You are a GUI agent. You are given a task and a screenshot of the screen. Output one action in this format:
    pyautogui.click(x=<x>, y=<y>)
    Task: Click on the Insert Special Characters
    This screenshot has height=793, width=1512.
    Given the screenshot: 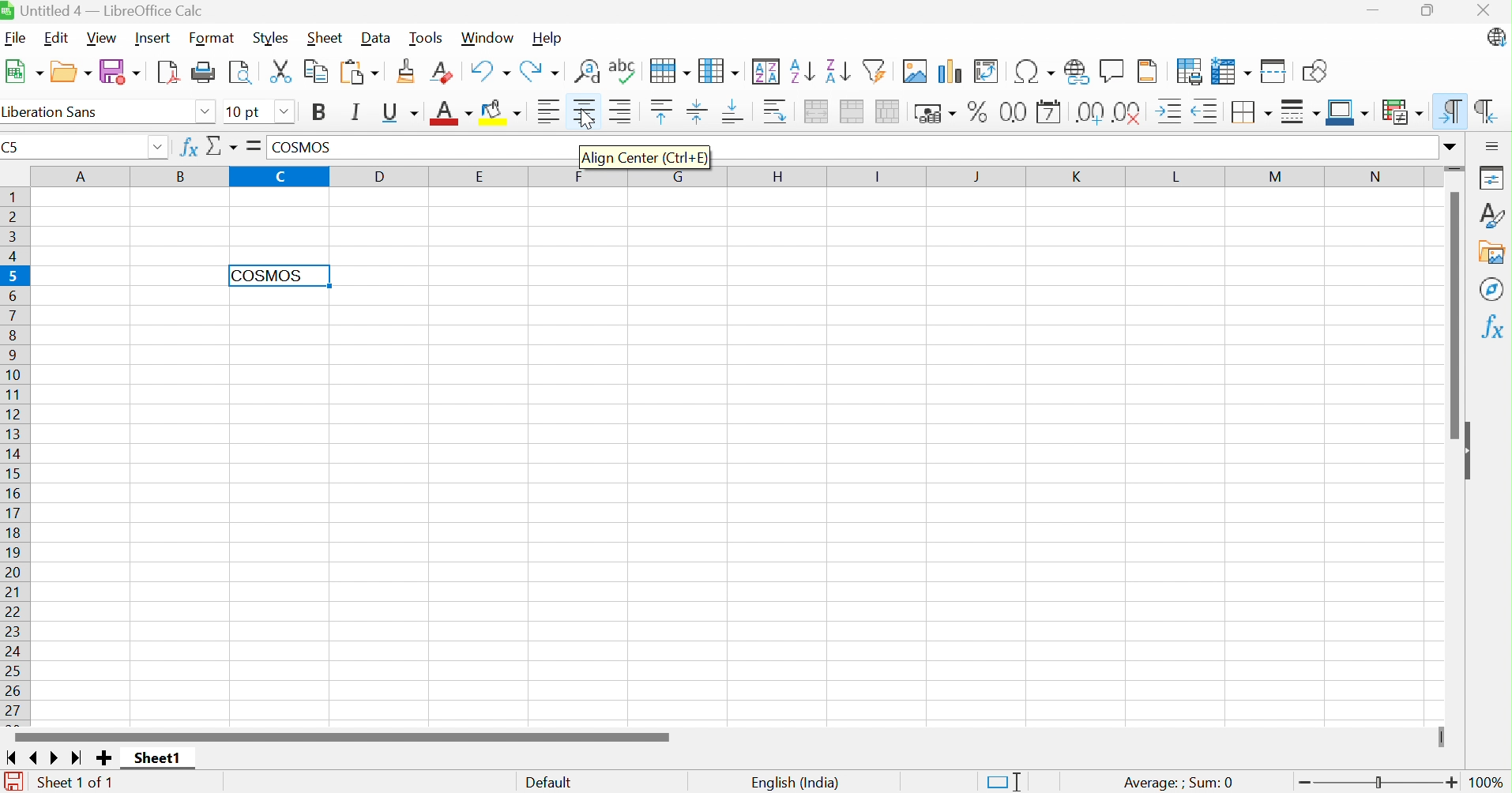 What is the action you would take?
    pyautogui.click(x=1034, y=70)
    